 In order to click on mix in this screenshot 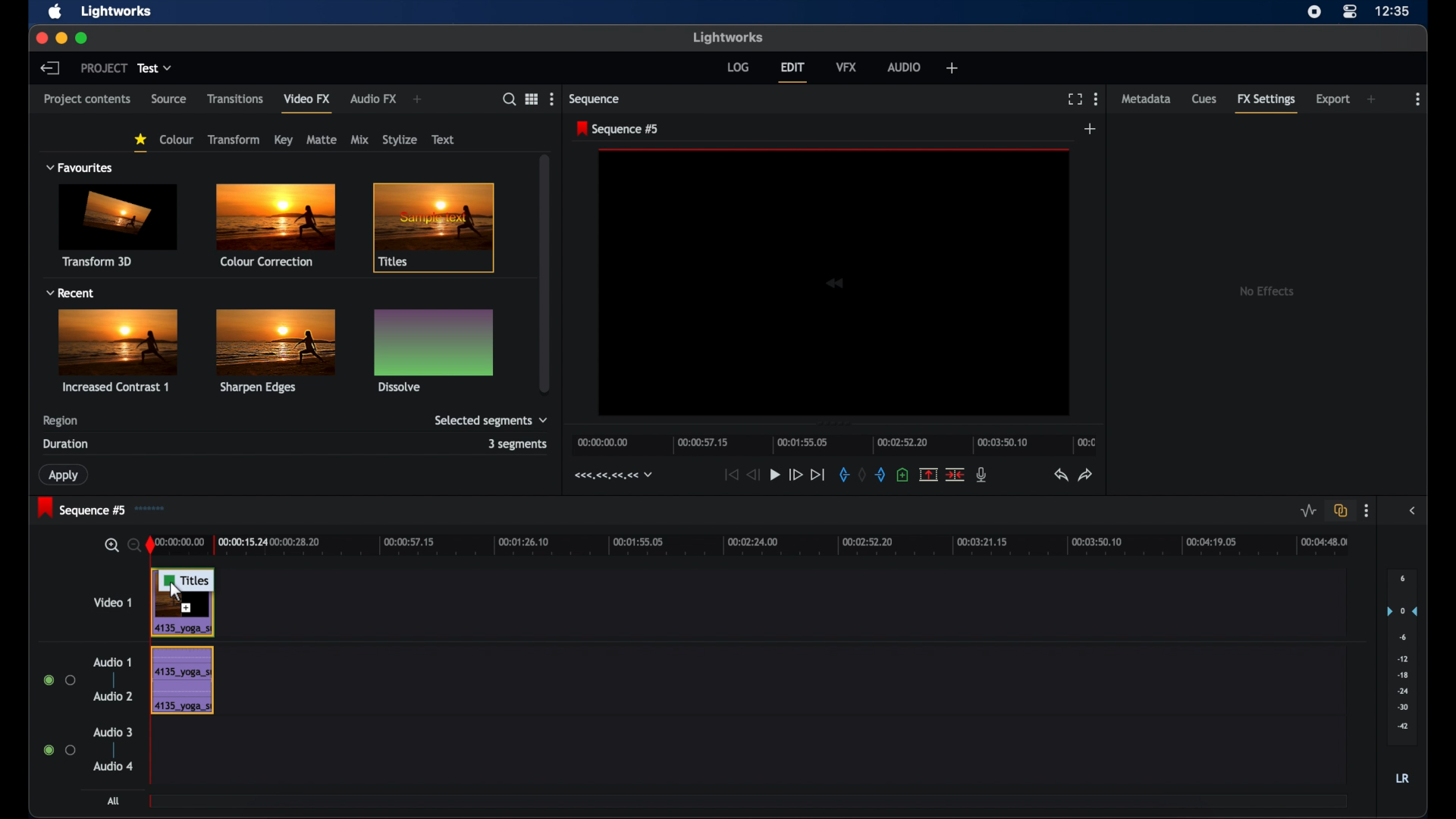, I will do `click(360, 140)`.